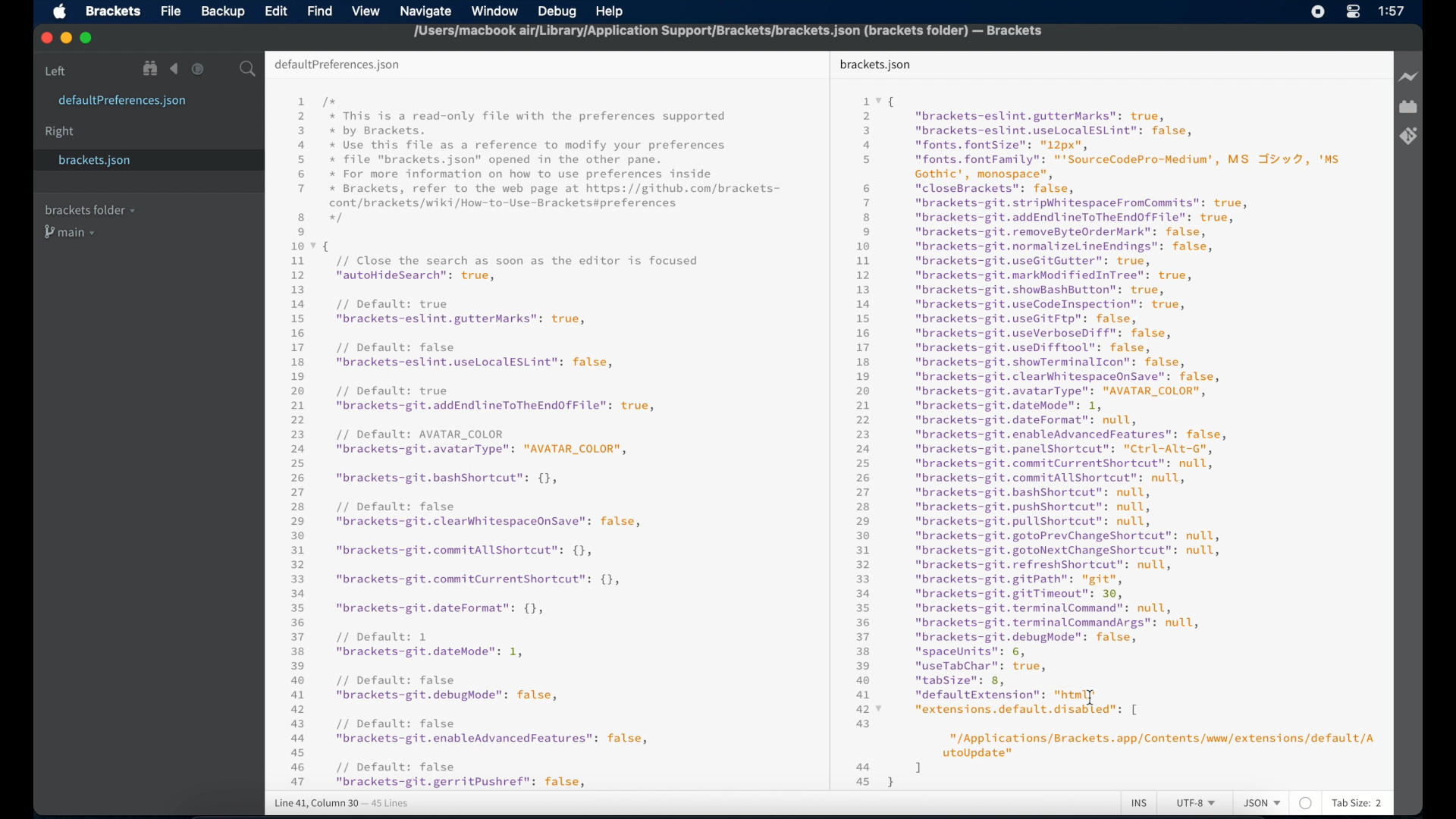 The width and height of the screenshot is (1456, 819). I want to click on tab size: 2, so click(1357, 804).